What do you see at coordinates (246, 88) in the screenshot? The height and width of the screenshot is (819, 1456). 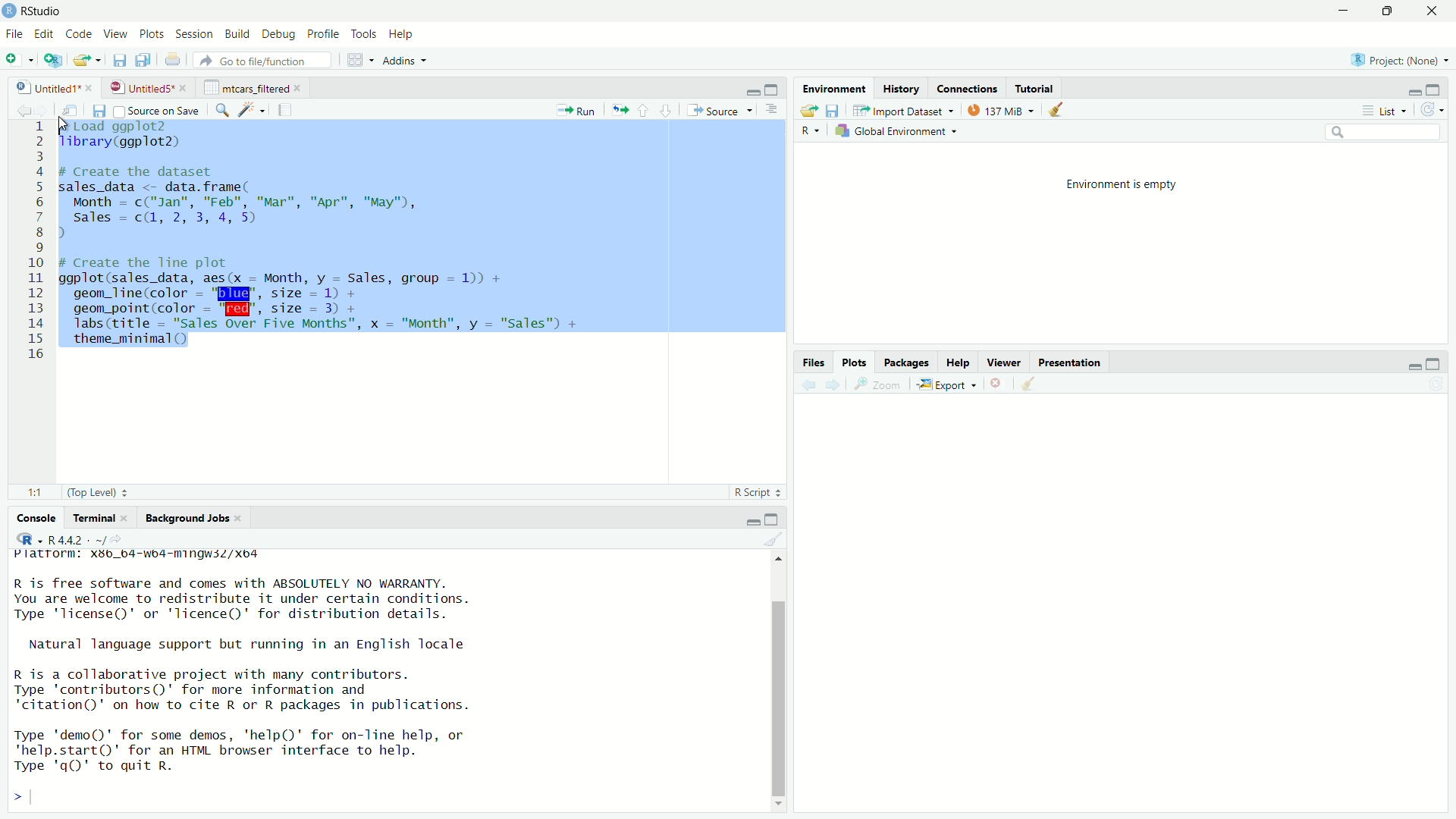 I see `mtcars_filtered` at bounding box center [246, 88].